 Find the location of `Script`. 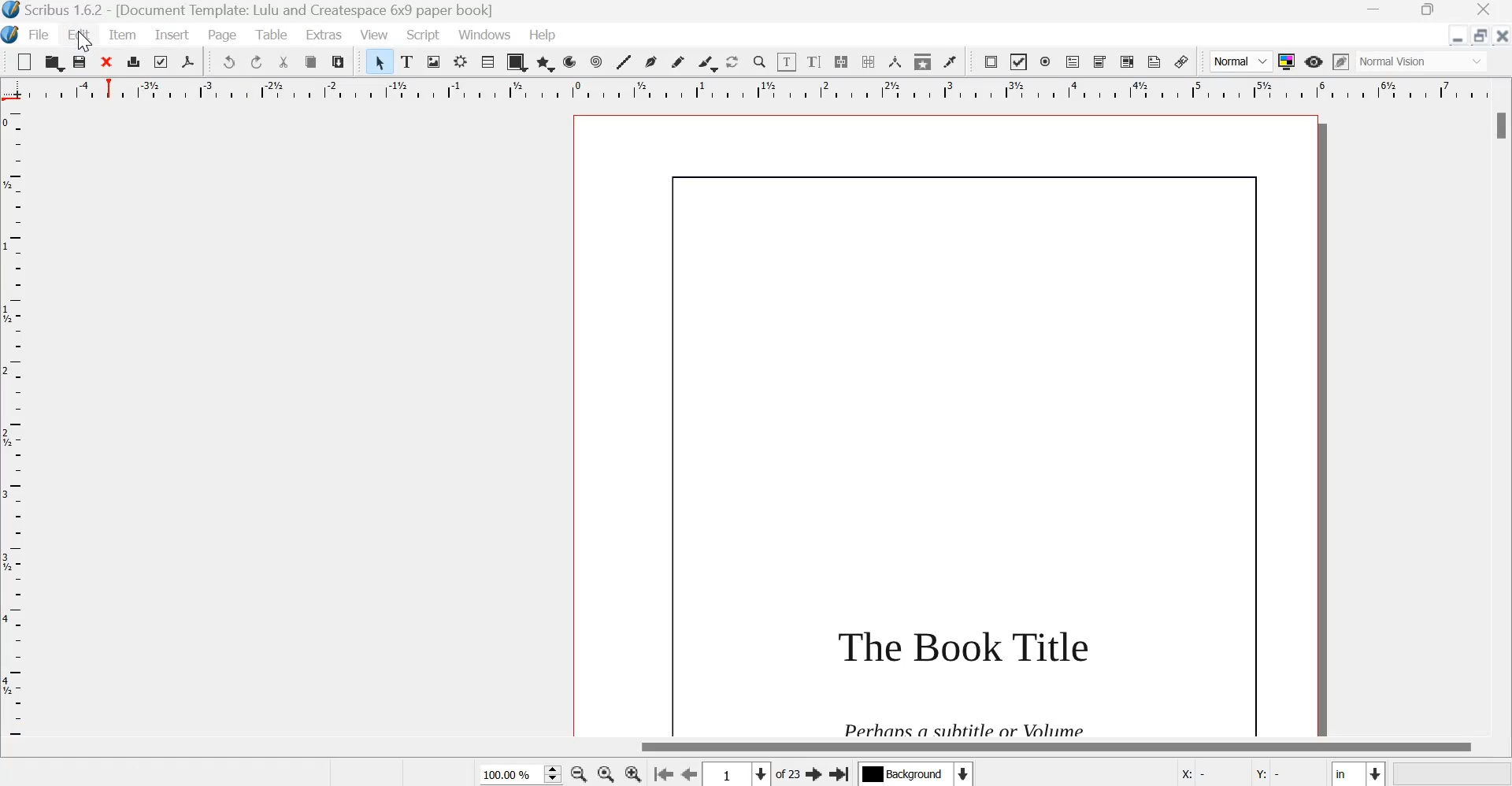

Script is located at coordinates (423, 34).